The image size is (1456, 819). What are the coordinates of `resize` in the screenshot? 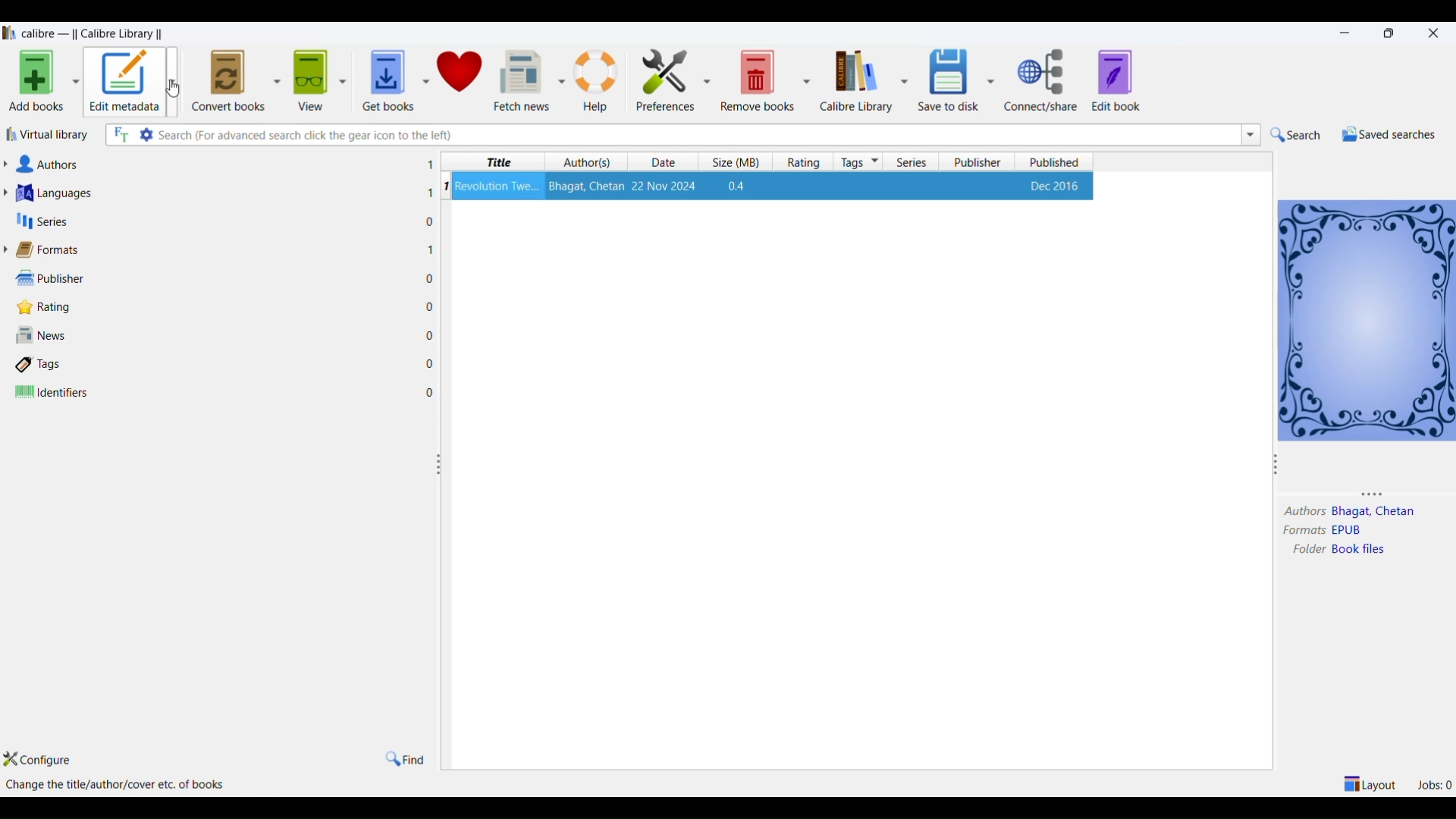 It's located at (1276, 467).